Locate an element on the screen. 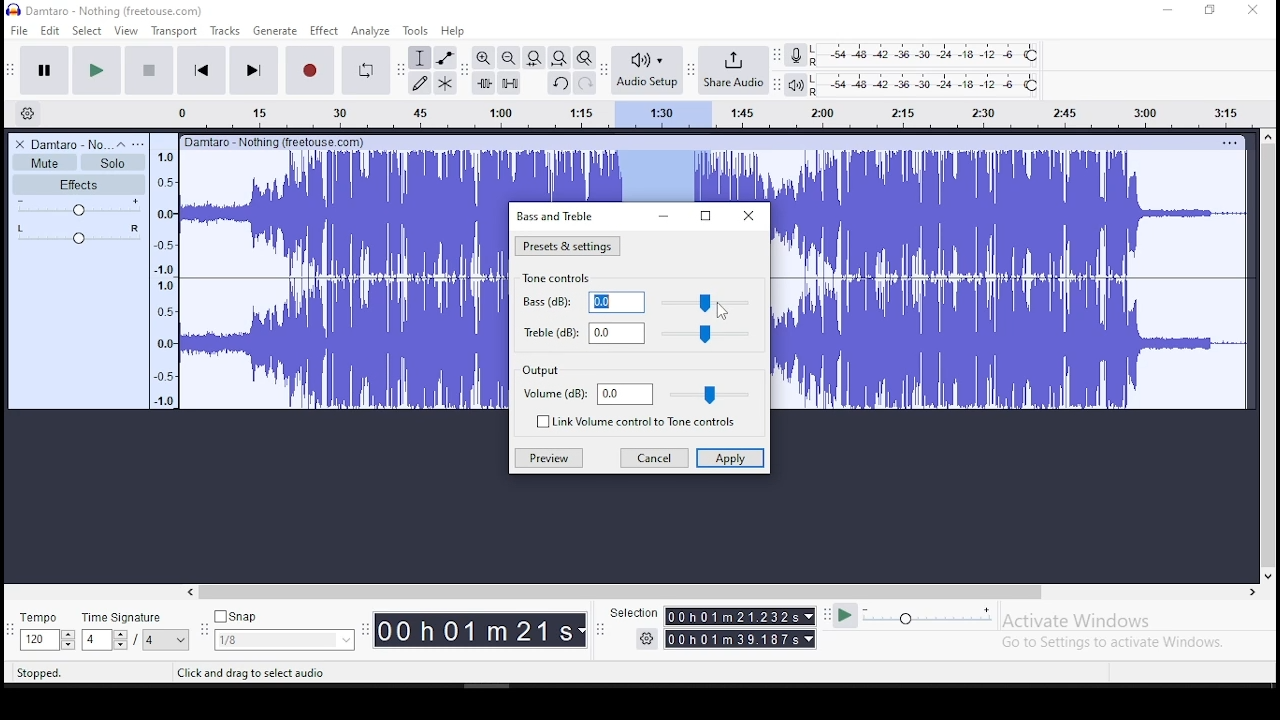 The width and height of the screenshot is (1280, 720). drop down is located at coordinates (583, 631).